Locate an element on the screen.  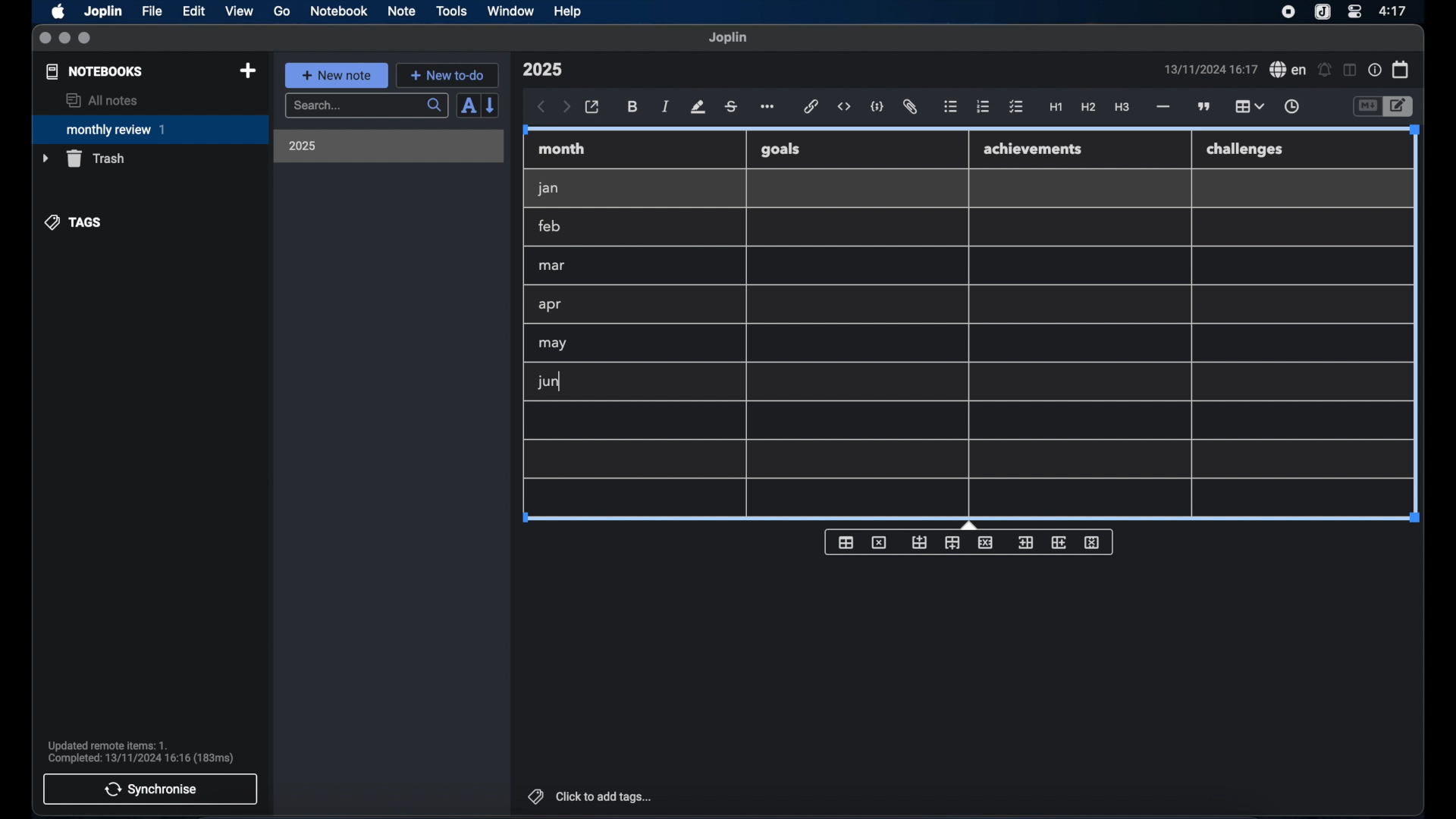
trash is located at coordinates (83, 158).